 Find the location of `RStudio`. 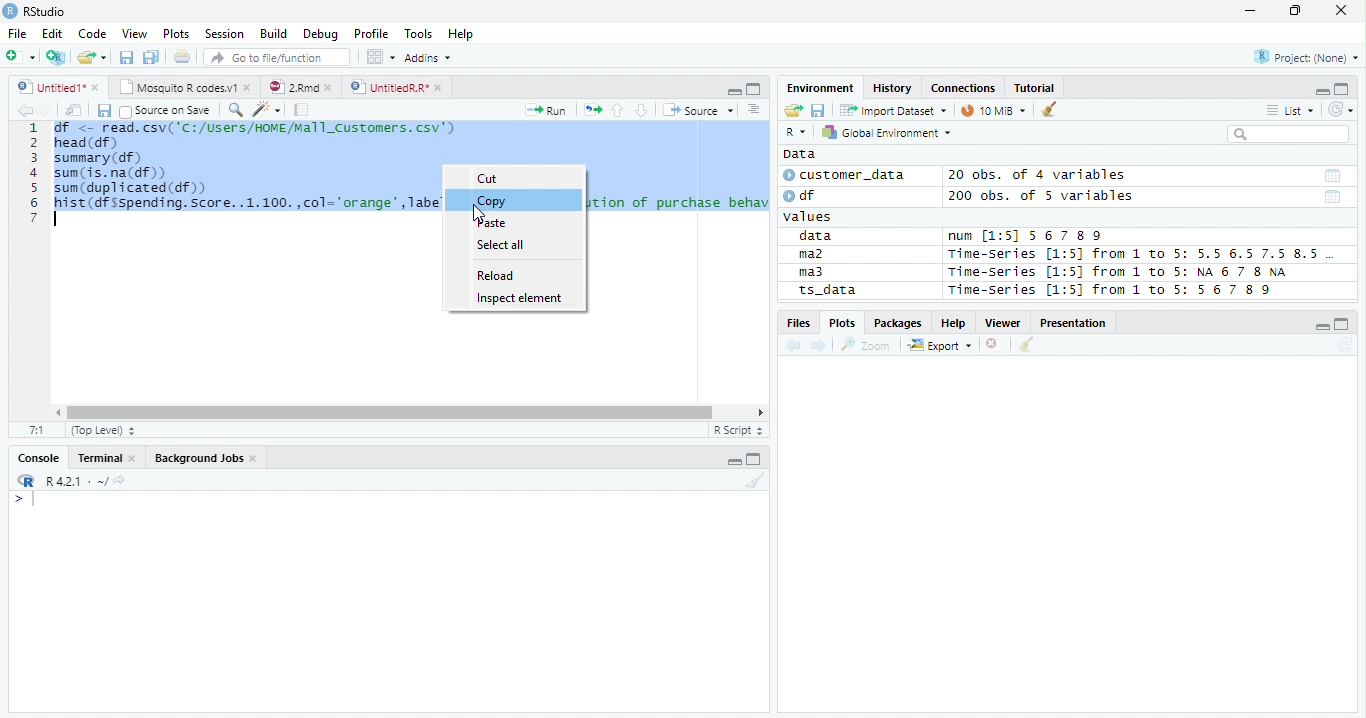

RStudio is located at coordinates (35, 12).